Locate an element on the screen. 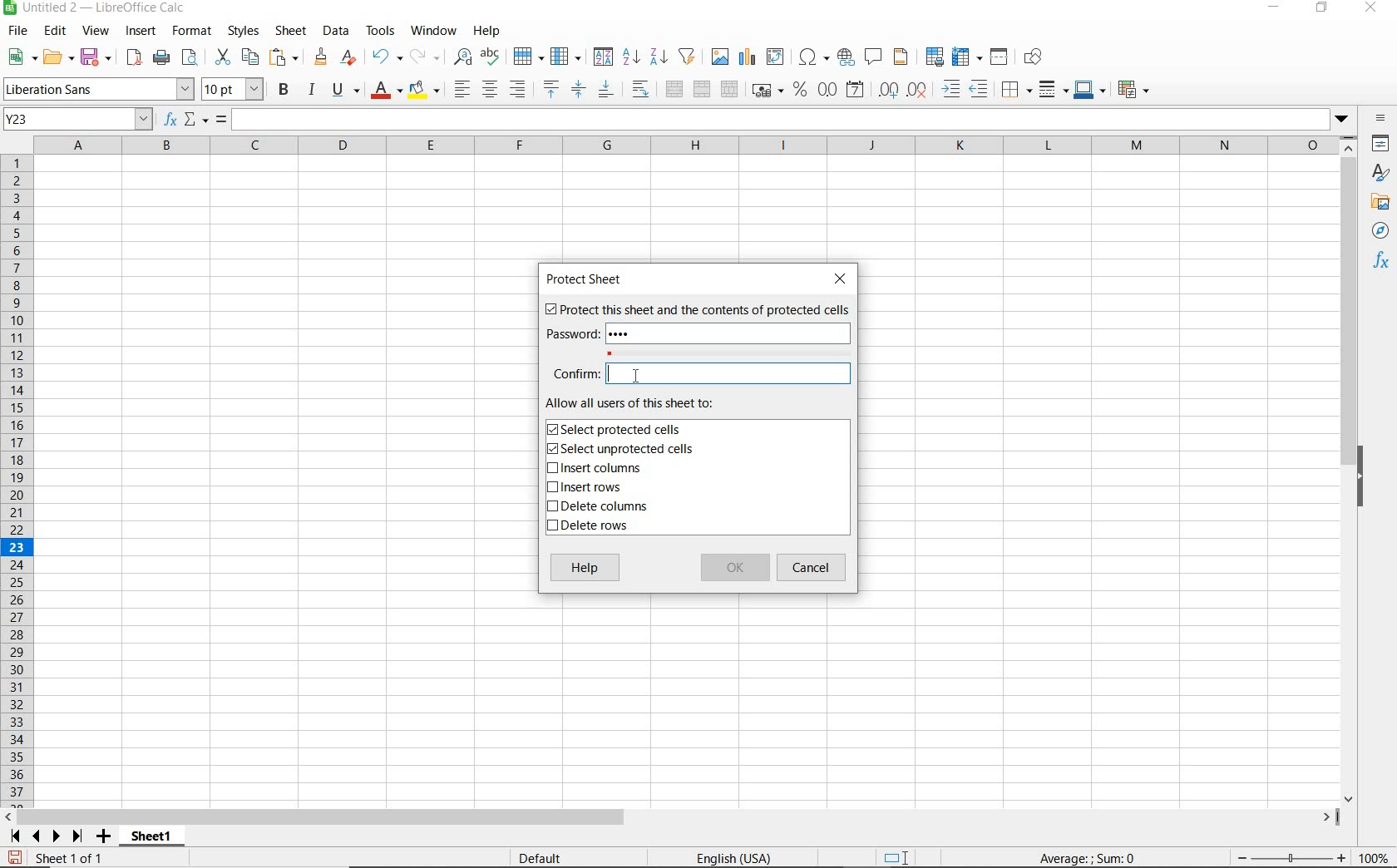  FONT COLOR is located at coordinates (386, 91).